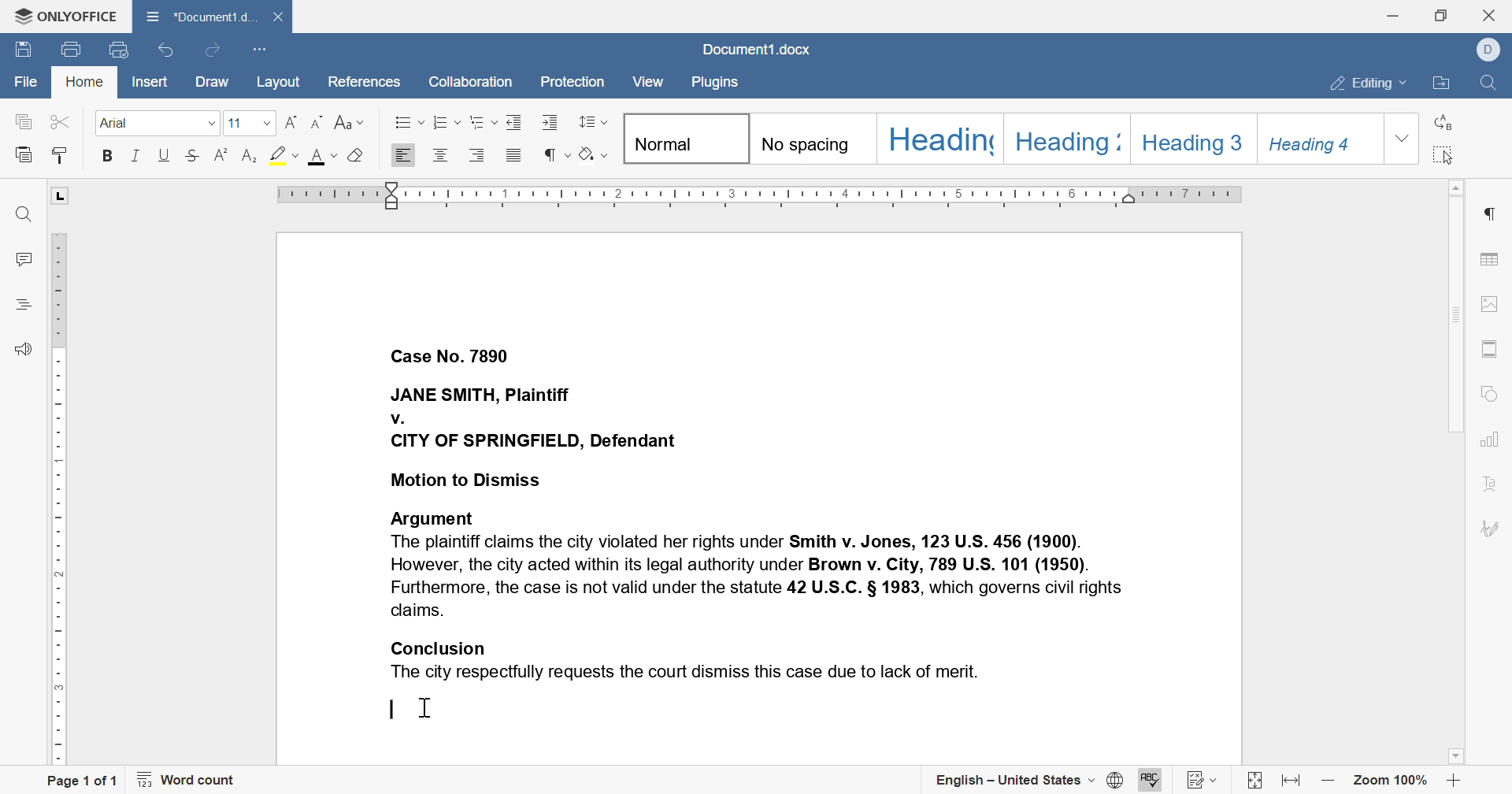  I want to click on home, so click(83, 83).